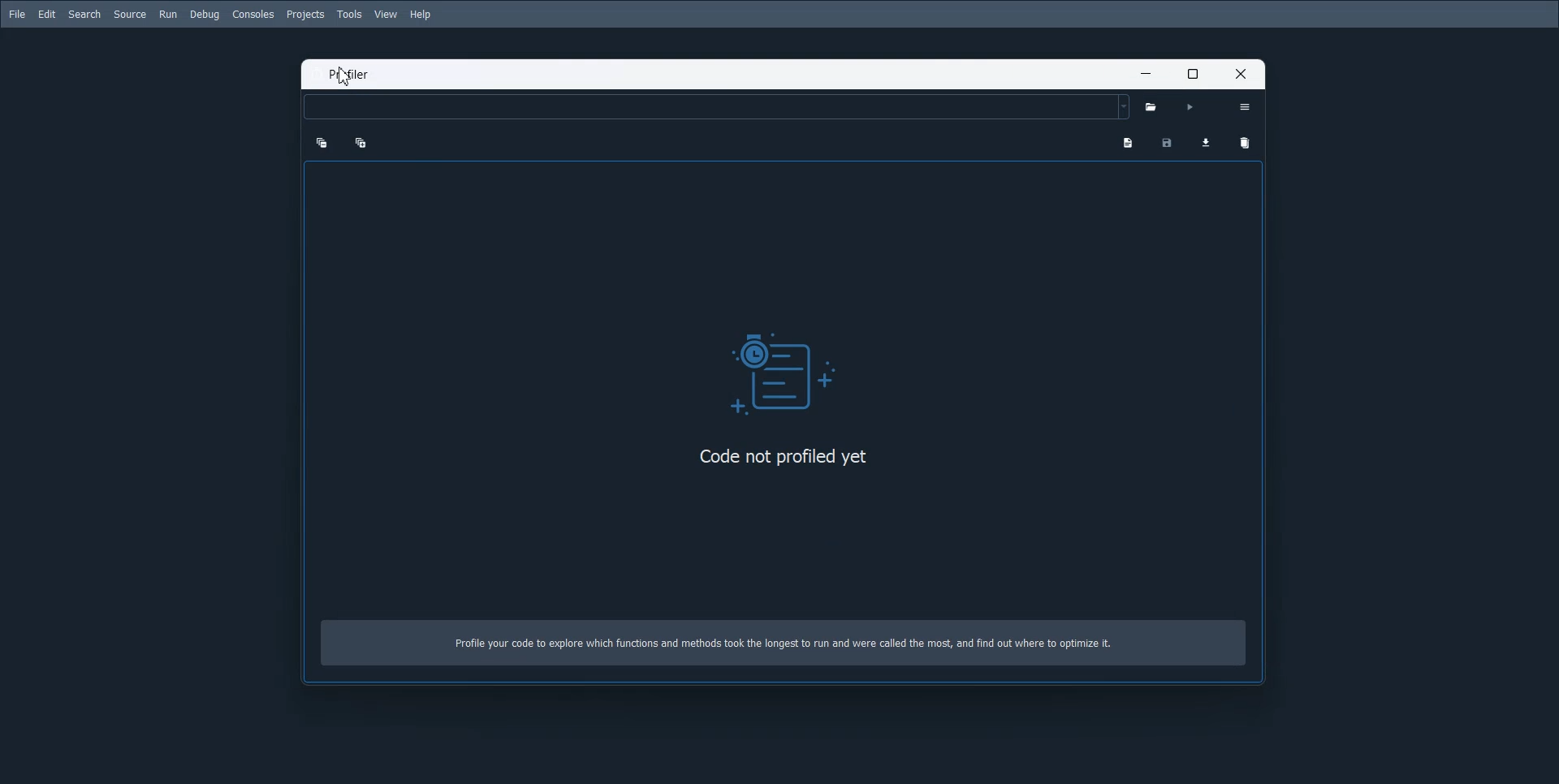  What do you see at coordinates (346, 77) in the screenshot?
I see `cursor` at bounding box center [346, 77].